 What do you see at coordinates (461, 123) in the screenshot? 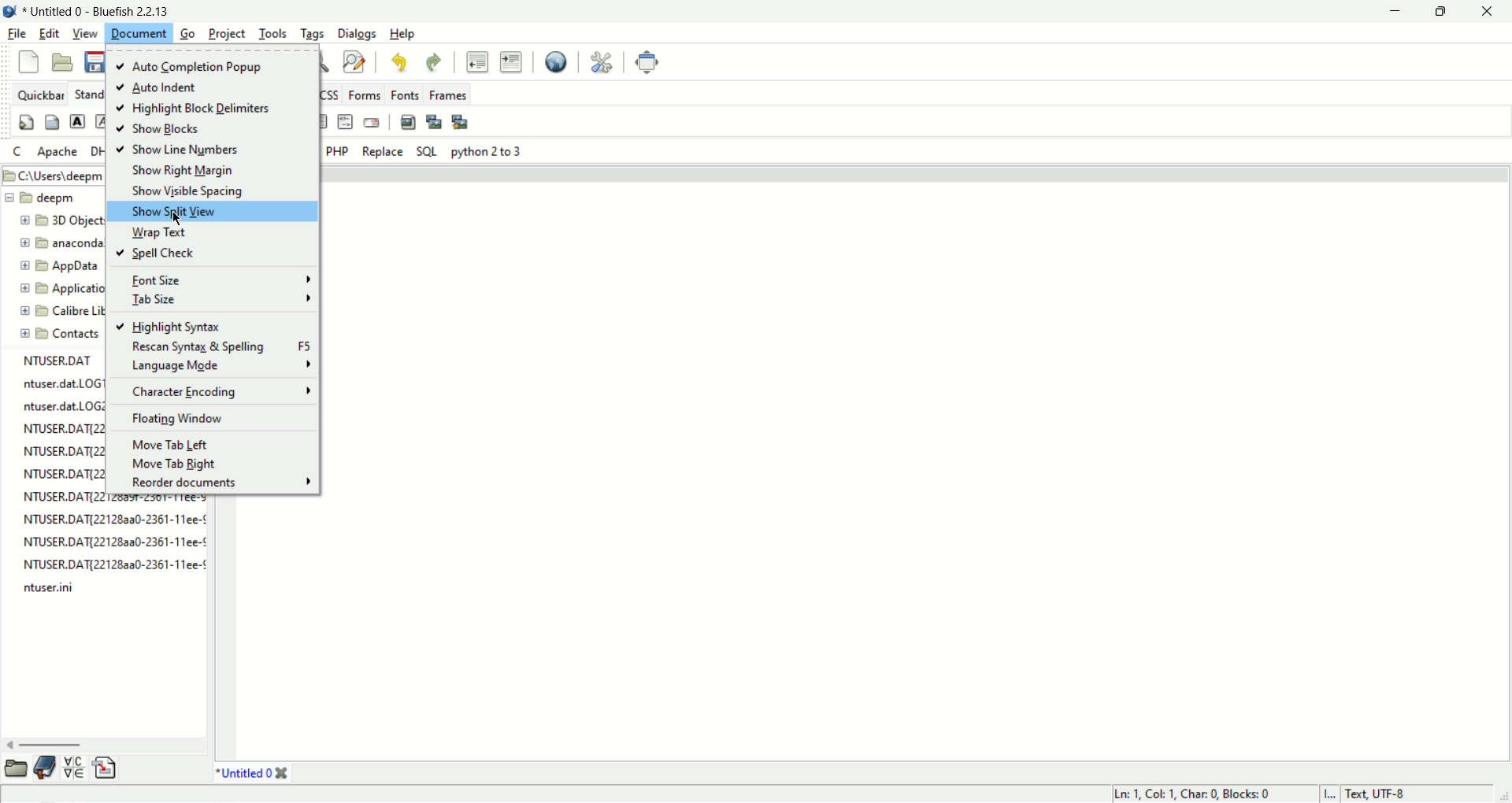
I see `multi thumbnail` at bounding box center [461, 123].